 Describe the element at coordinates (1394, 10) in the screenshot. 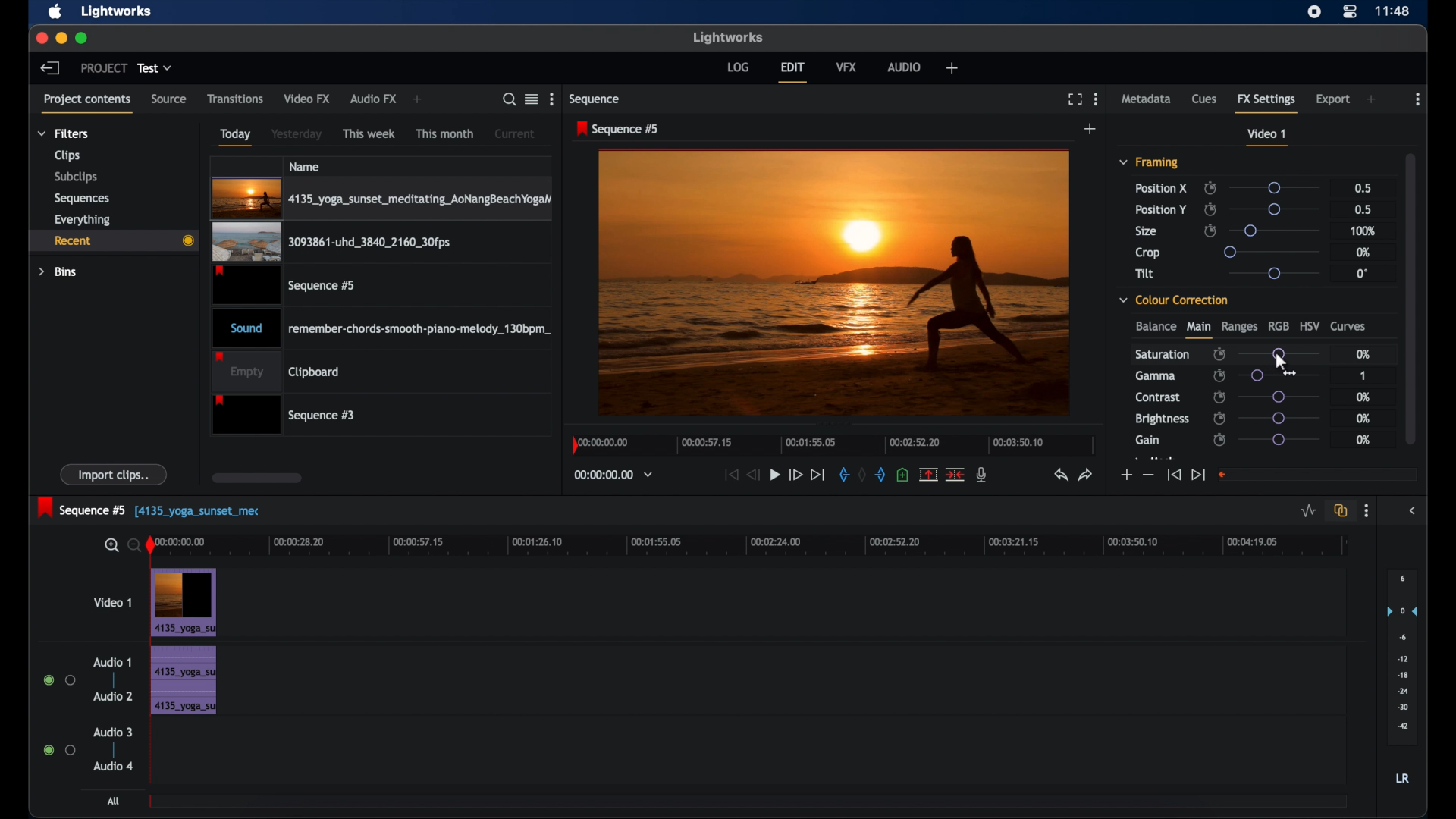

I see `time` at that location.